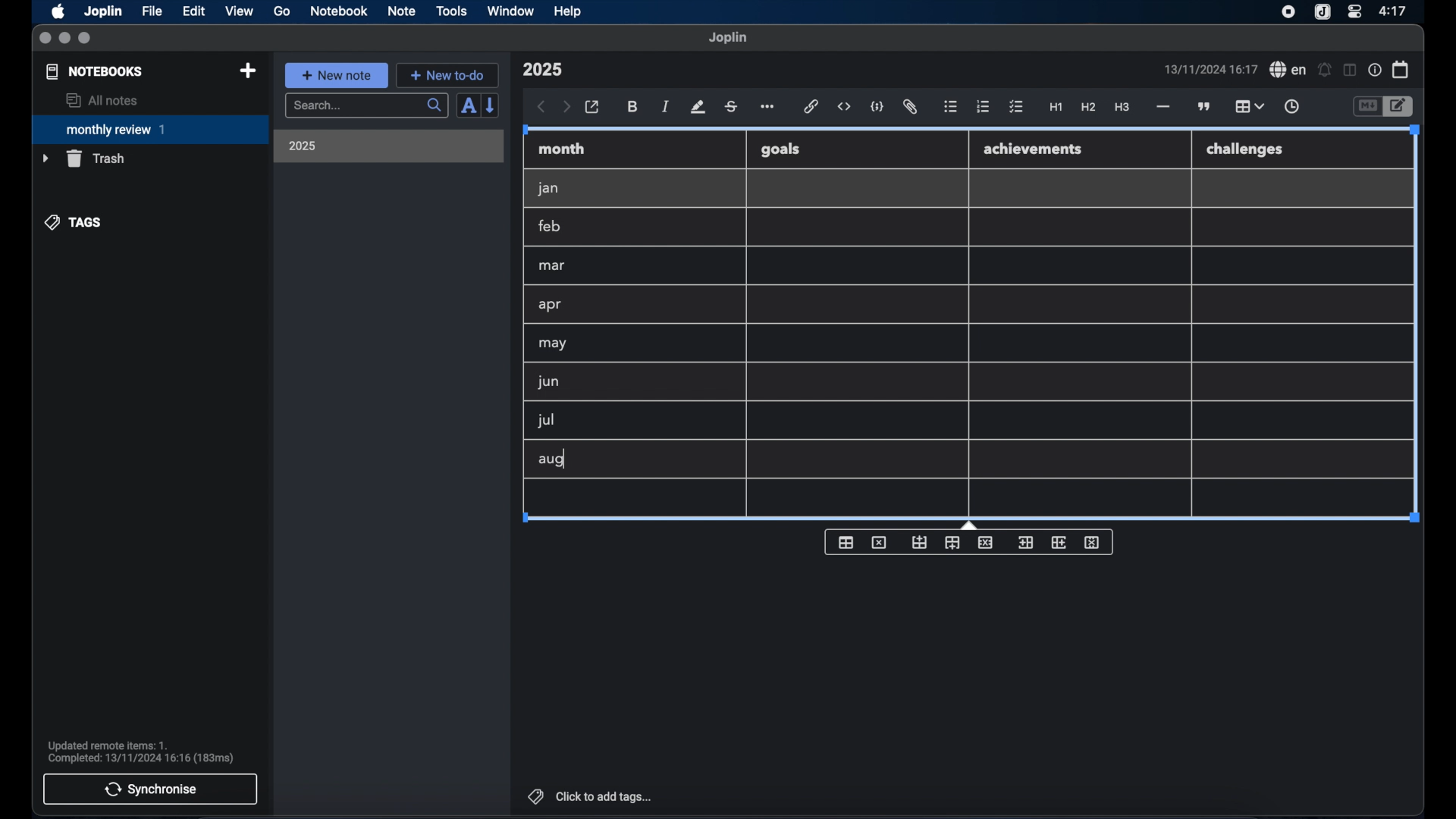  What do you see at coordinates (1288, 70) in the screenshot?
I see `spel check` at bounding box center [1288, 70].